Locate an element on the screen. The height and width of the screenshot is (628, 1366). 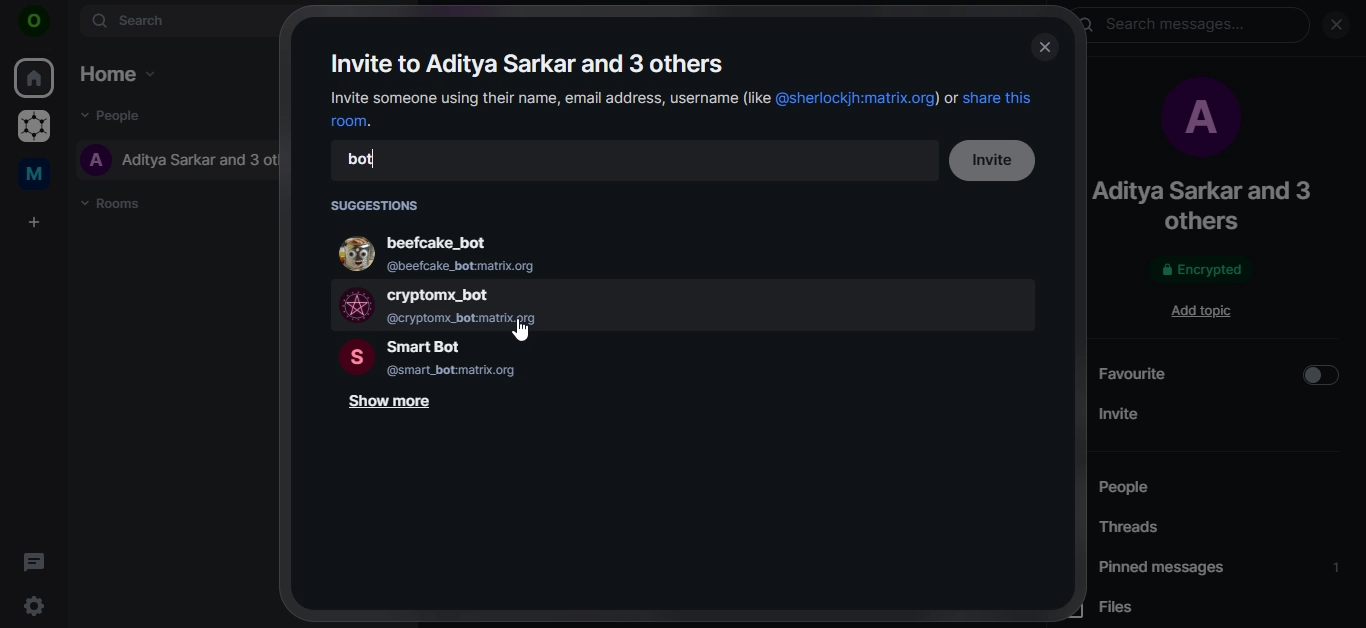
threads is located at coordinates (1134, 529).